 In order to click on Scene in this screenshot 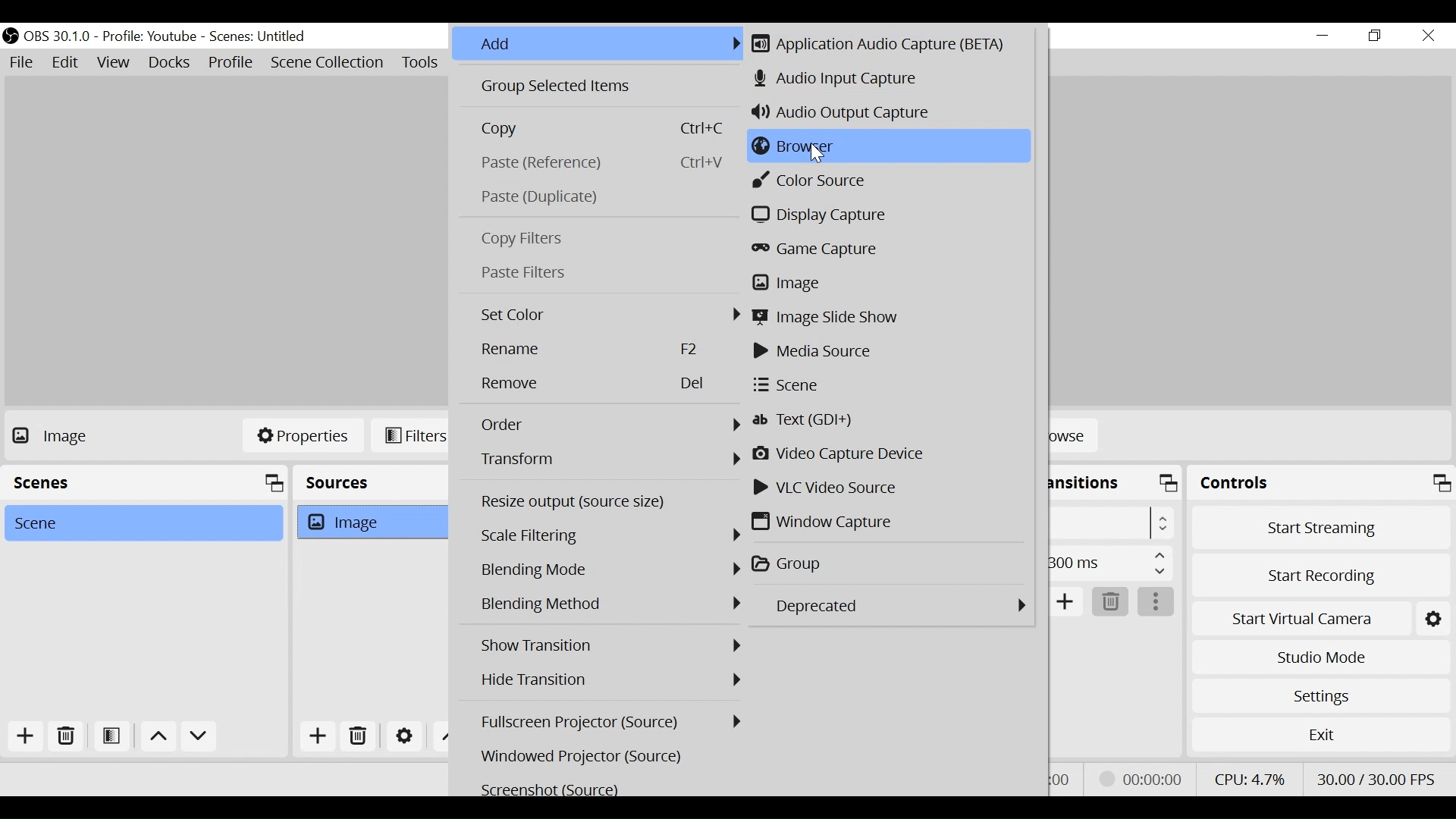, I will do `click(886, 385)`.